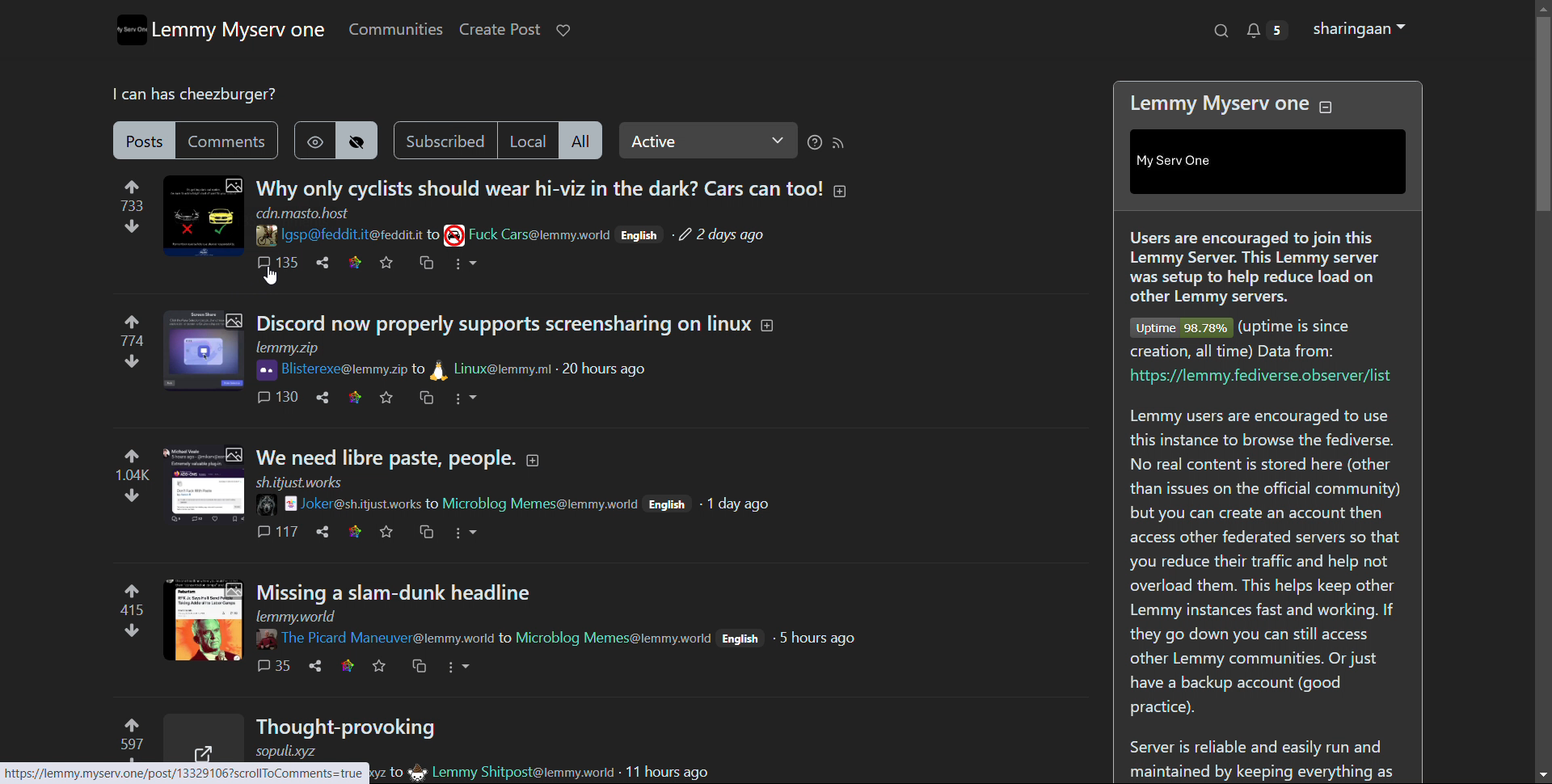 The width and height of the screenshot is (1552, 784). What do you see at coordinates (1269, 592) in the screenshot?
I see `Lemmy users are encouraged to use
this instance to browse the fediverse.
No real content is stored here (other
than issues on the official community)
but you can create an account then
access other federated servers so that
you reduce their traffic and help not
overload them. This helps keep other
Lemmy instances fast and working. If
they go down you can still access
other Lemmy communities. Or just
have a backup account (good
practice).

Server is reliable and easily run and
maintained by keeping everything as` at bounding box center [1269, 592].